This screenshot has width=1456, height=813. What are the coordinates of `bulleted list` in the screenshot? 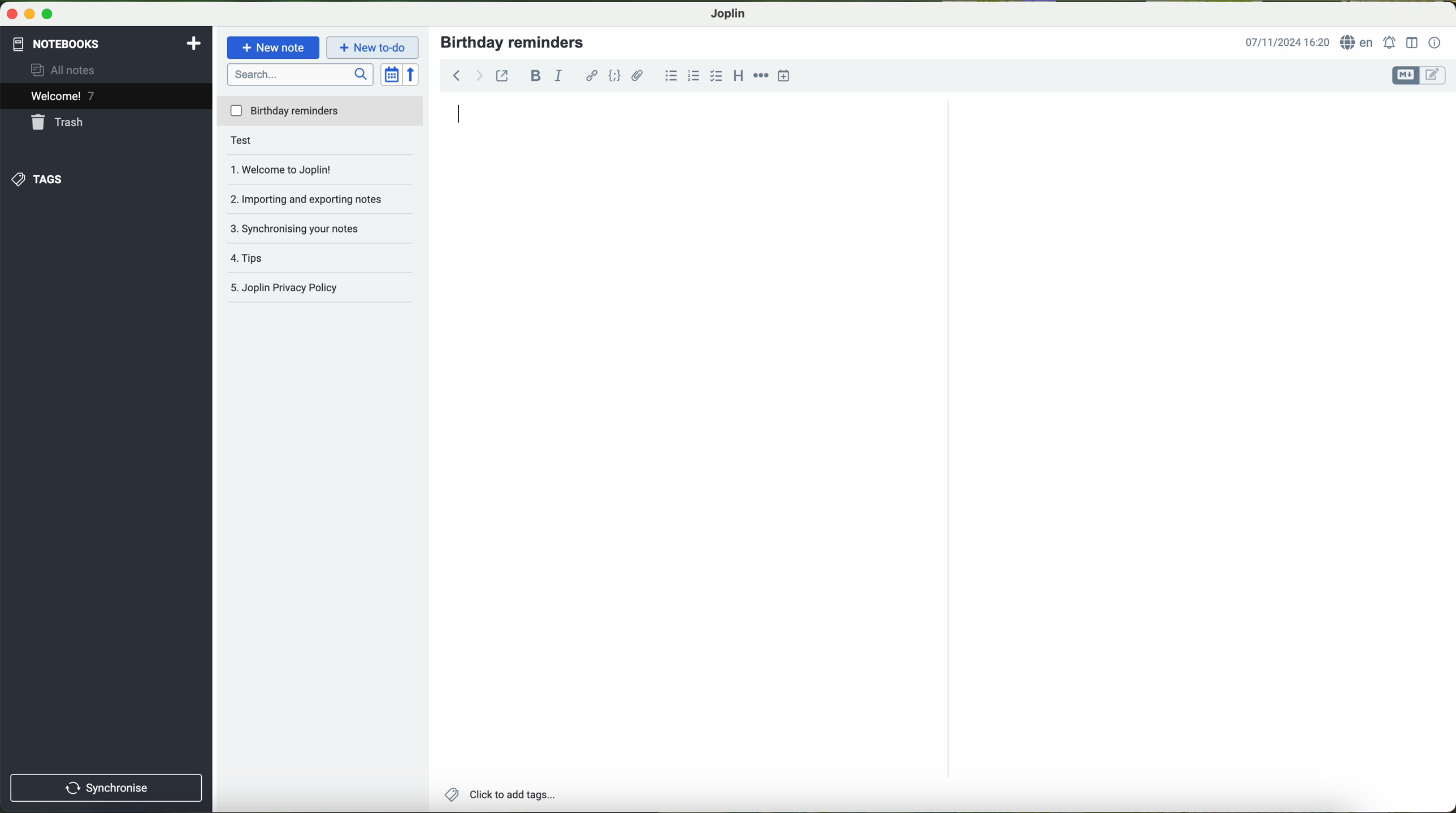 It's located at (672, 75).